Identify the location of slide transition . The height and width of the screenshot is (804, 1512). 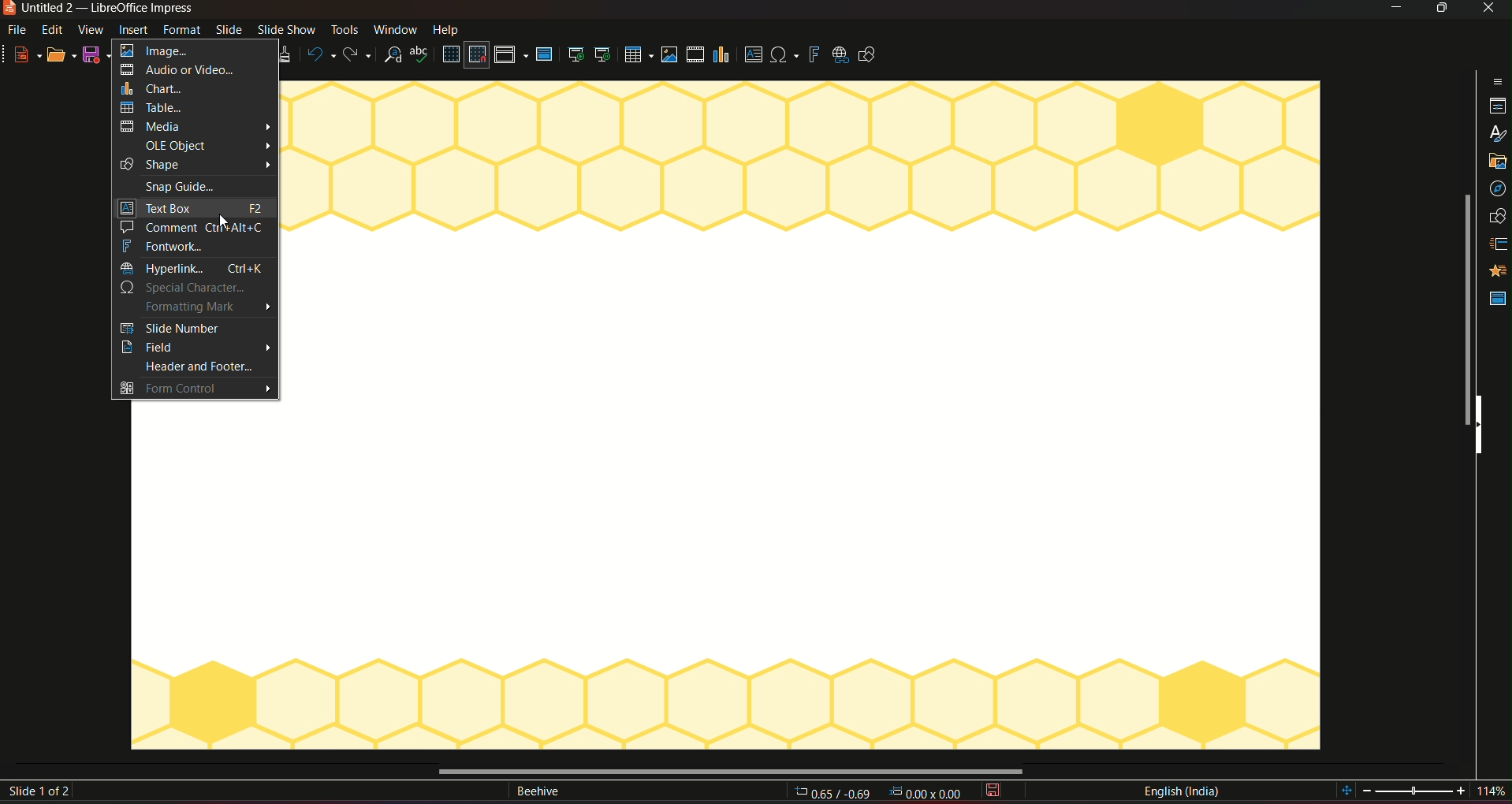
(1499, 242).